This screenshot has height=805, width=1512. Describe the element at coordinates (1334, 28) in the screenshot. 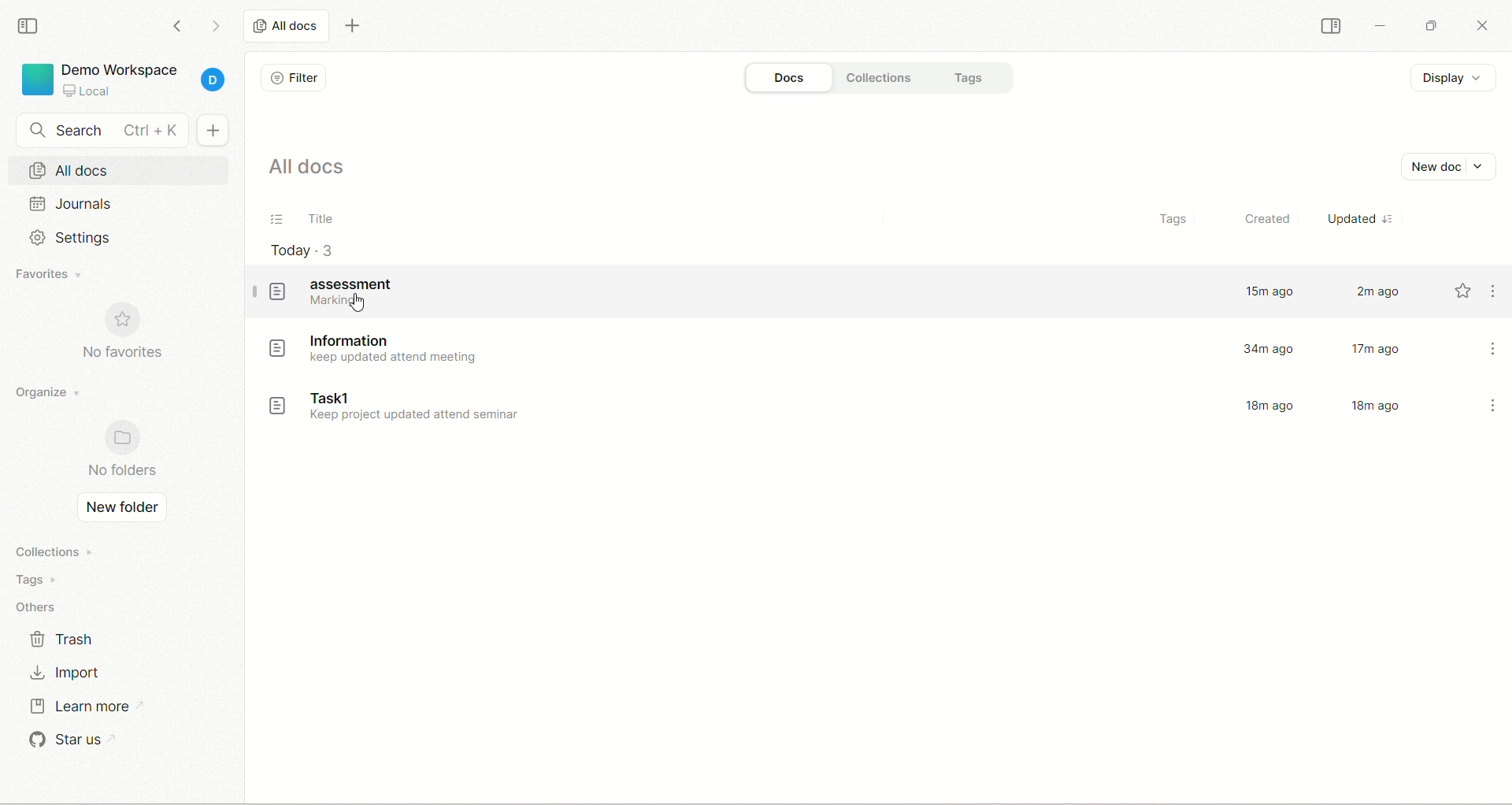

I see `collapse sidebar` at that location.